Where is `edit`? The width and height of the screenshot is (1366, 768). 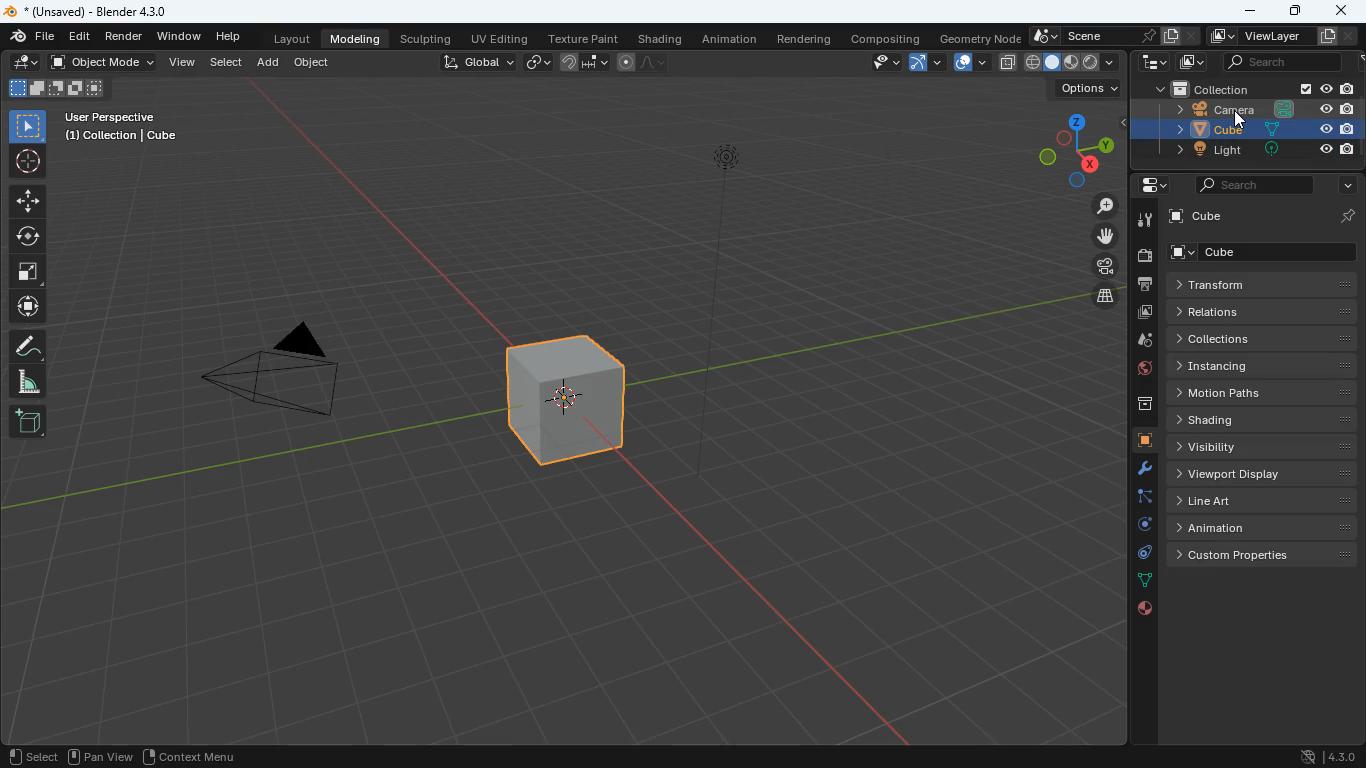
edit is located at coordinates (26, 65).